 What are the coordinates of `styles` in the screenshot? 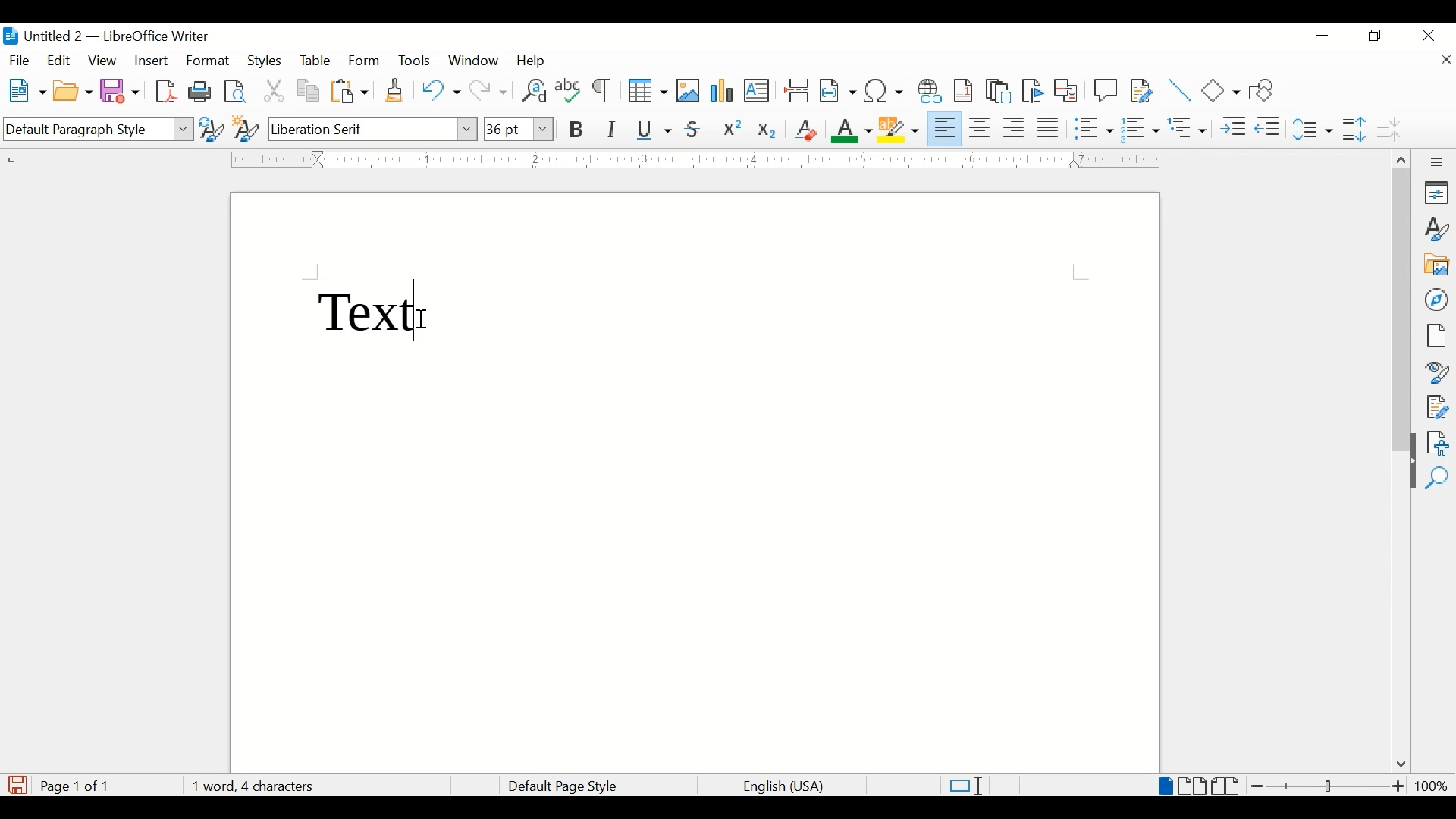 It's located at (1438, 229).